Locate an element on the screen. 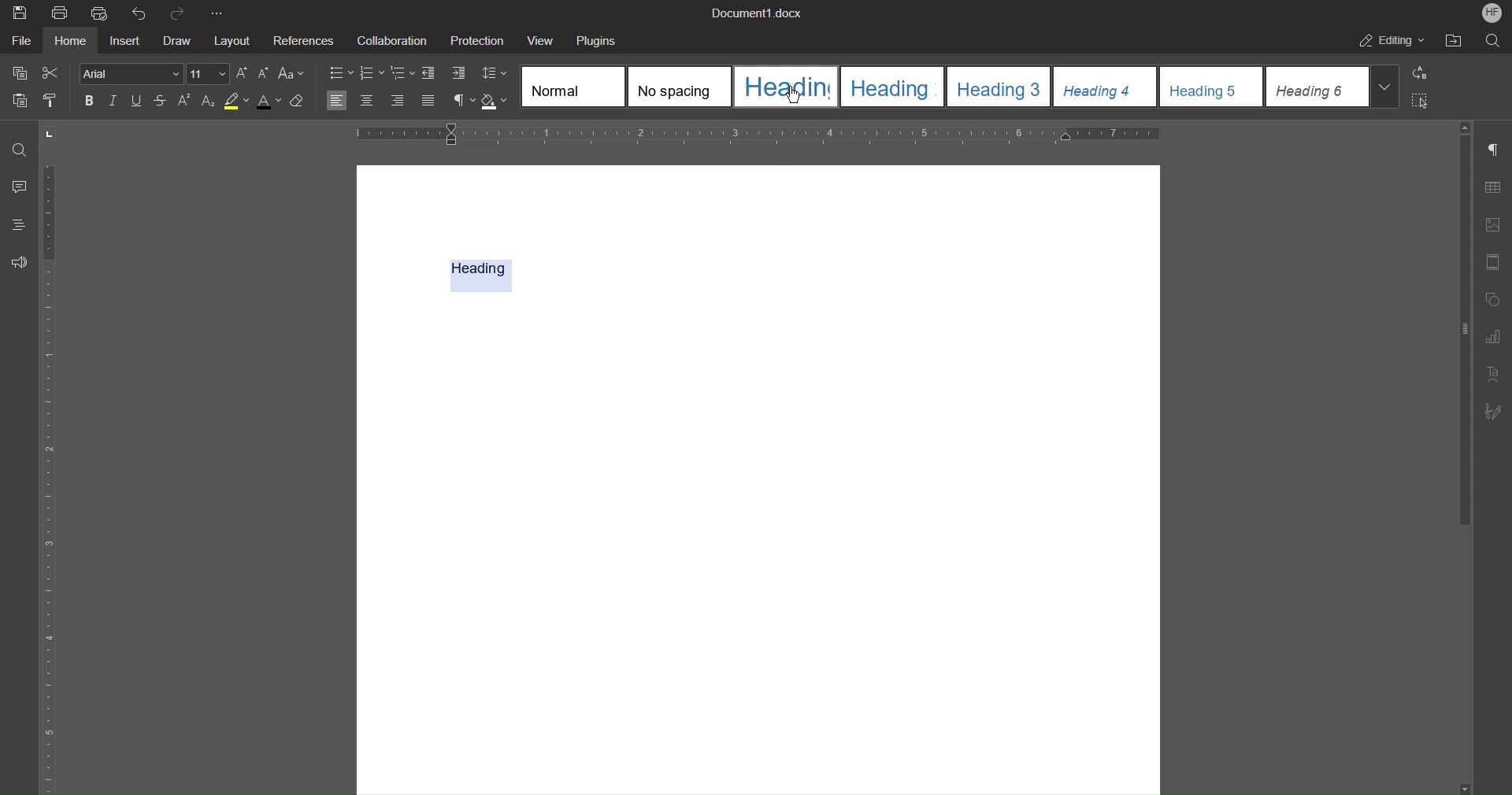  Replace is located at coordinates (1421, 73).